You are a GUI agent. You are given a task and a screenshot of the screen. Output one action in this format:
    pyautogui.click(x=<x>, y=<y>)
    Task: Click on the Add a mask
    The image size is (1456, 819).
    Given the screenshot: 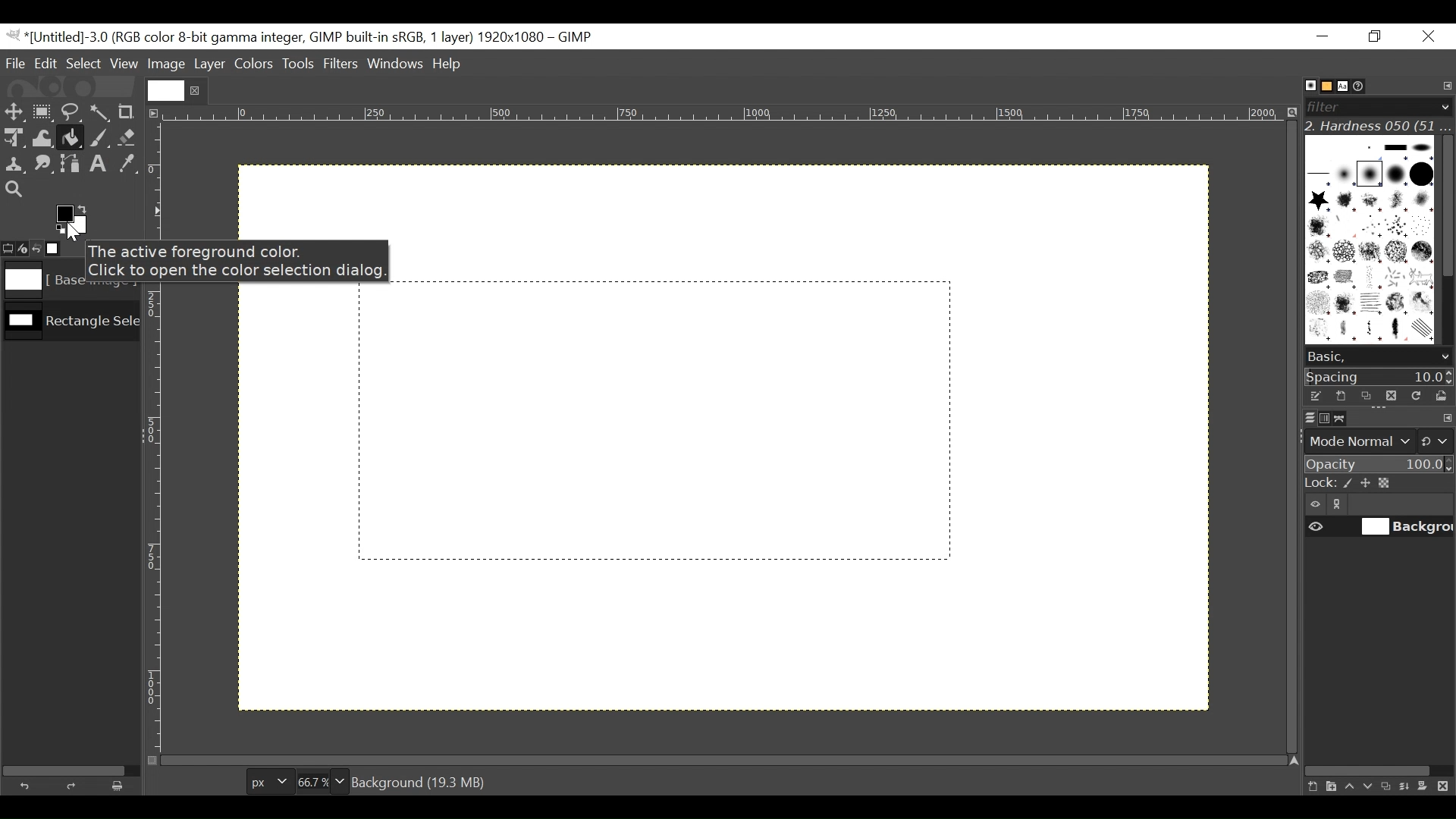 What is the action you would take?
    pyautogui.click(x=1427, y=789)
    